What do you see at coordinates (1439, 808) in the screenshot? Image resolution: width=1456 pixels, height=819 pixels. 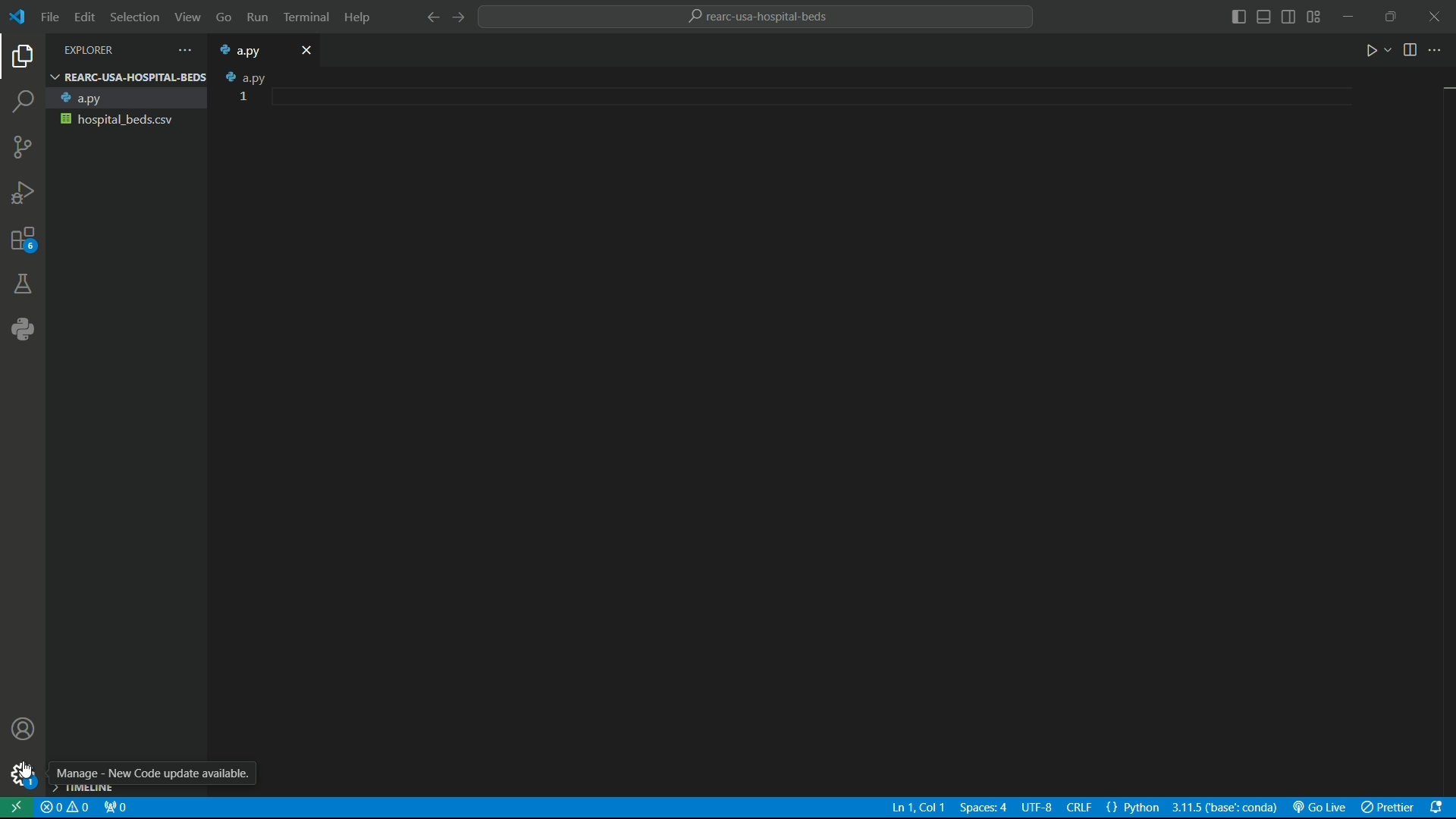 I see `notifications` at bounding box center [1439, 808].